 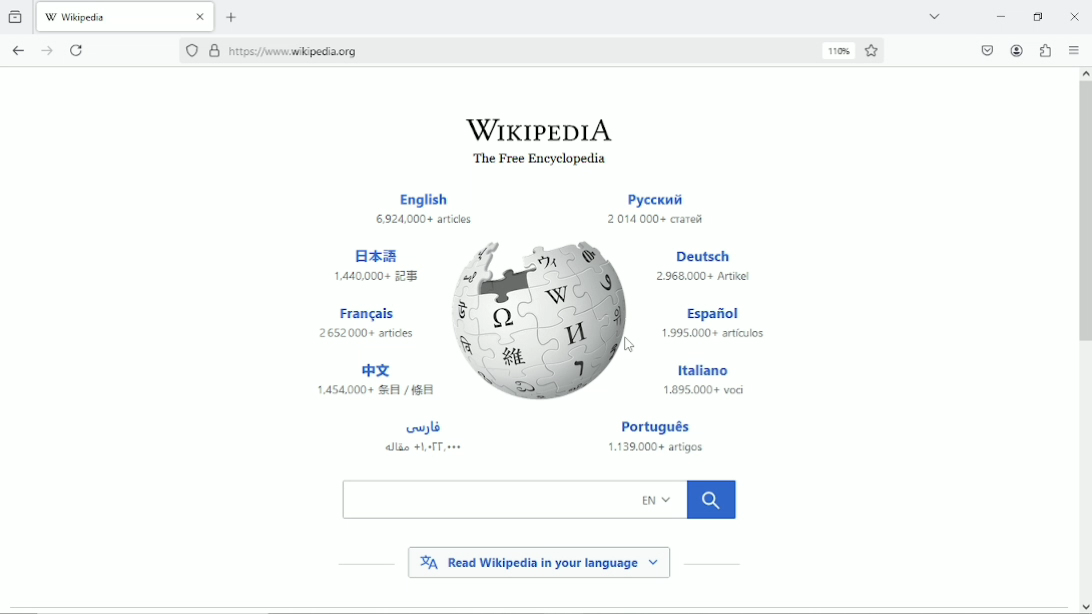 What do you see at coordinates (17, 15) in the screenshot?
I see `View recent browsing` at bounding box center [17, 15].